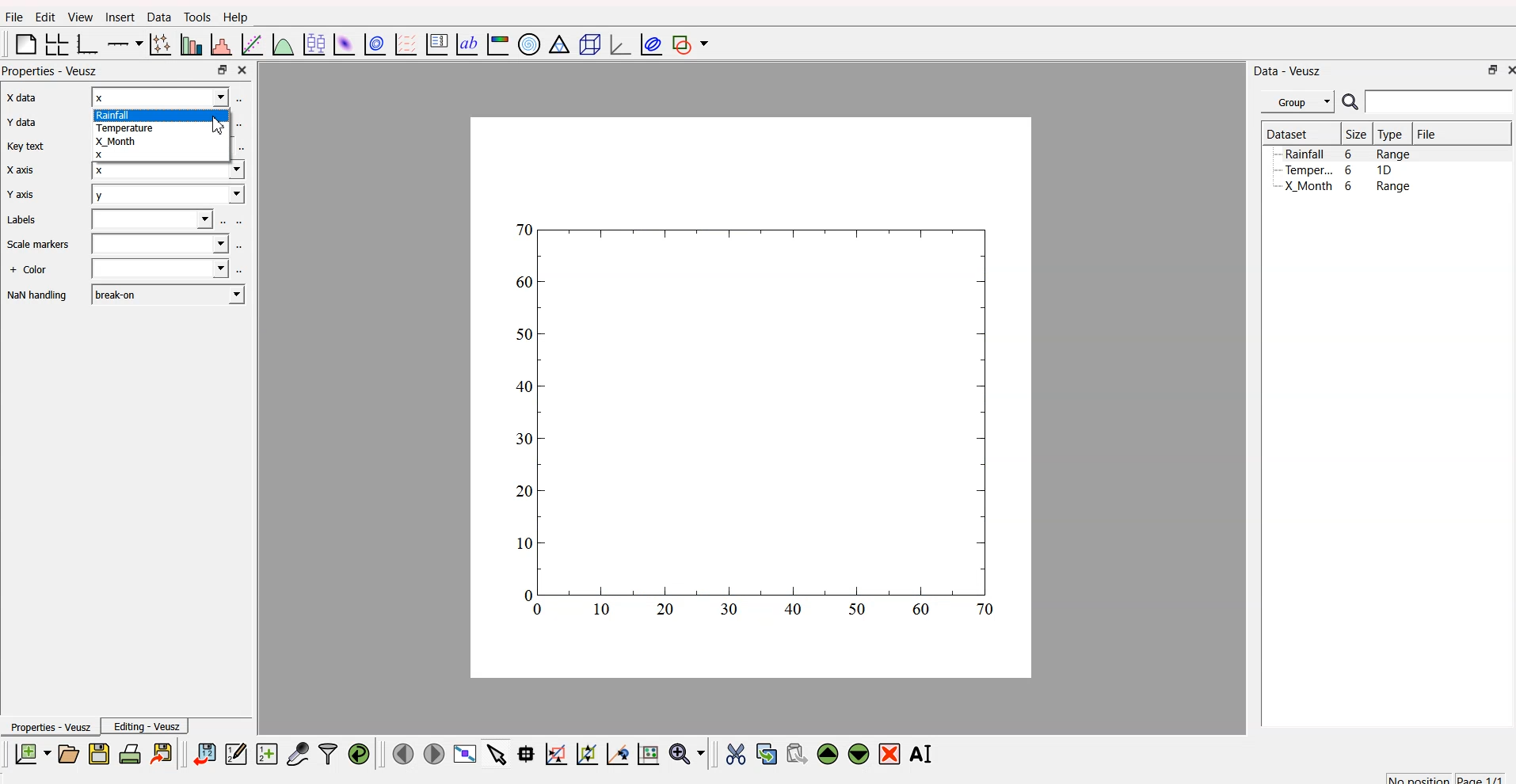 The image size is (1516, 784). Describe the element at coordinates (38, 296) in the screenshot. I see `NaN handling` at that location.